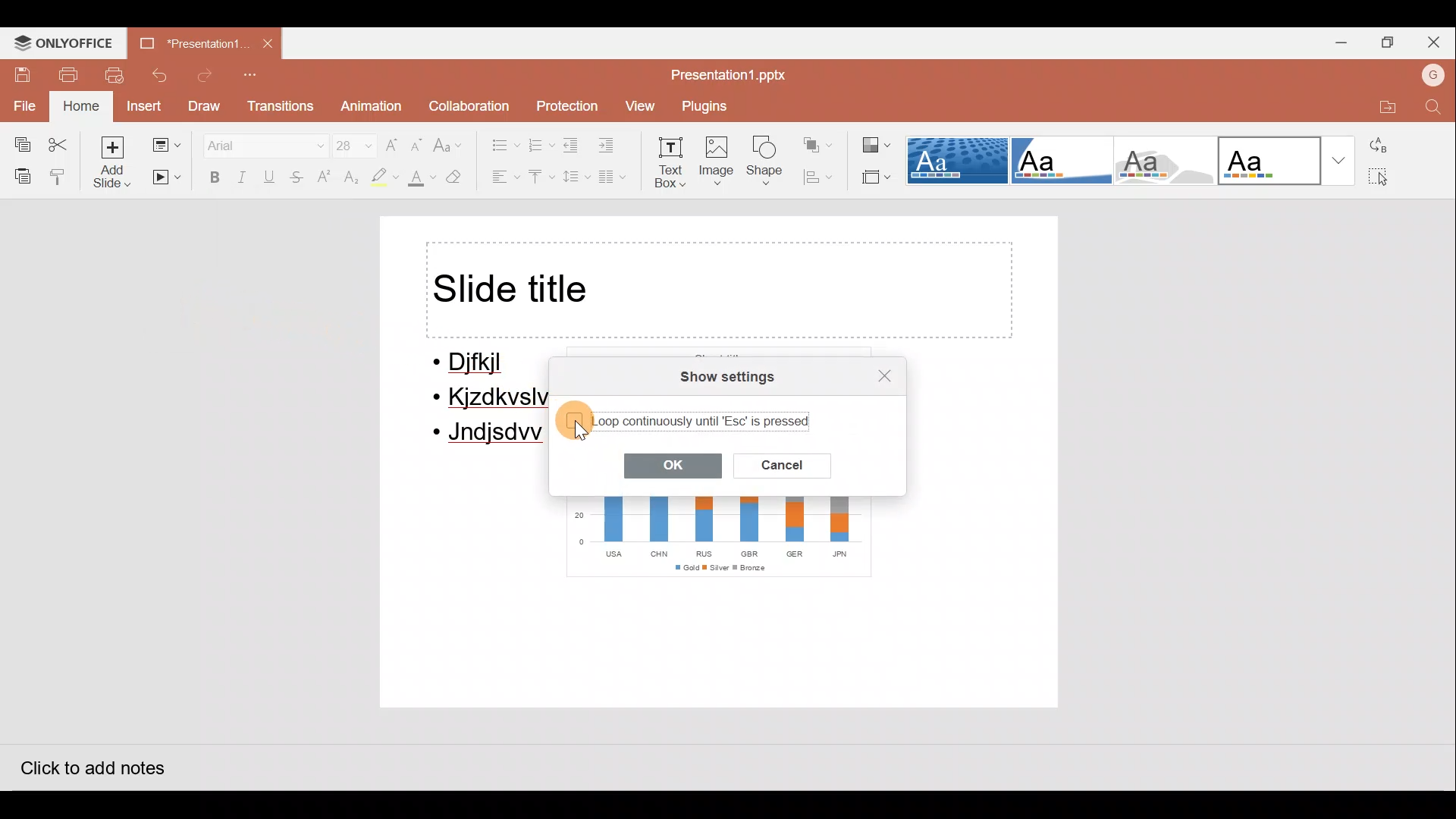 The height and width of the screenshot is (819, 1456). I want to click on Jndjsdw, so click(490, 435).